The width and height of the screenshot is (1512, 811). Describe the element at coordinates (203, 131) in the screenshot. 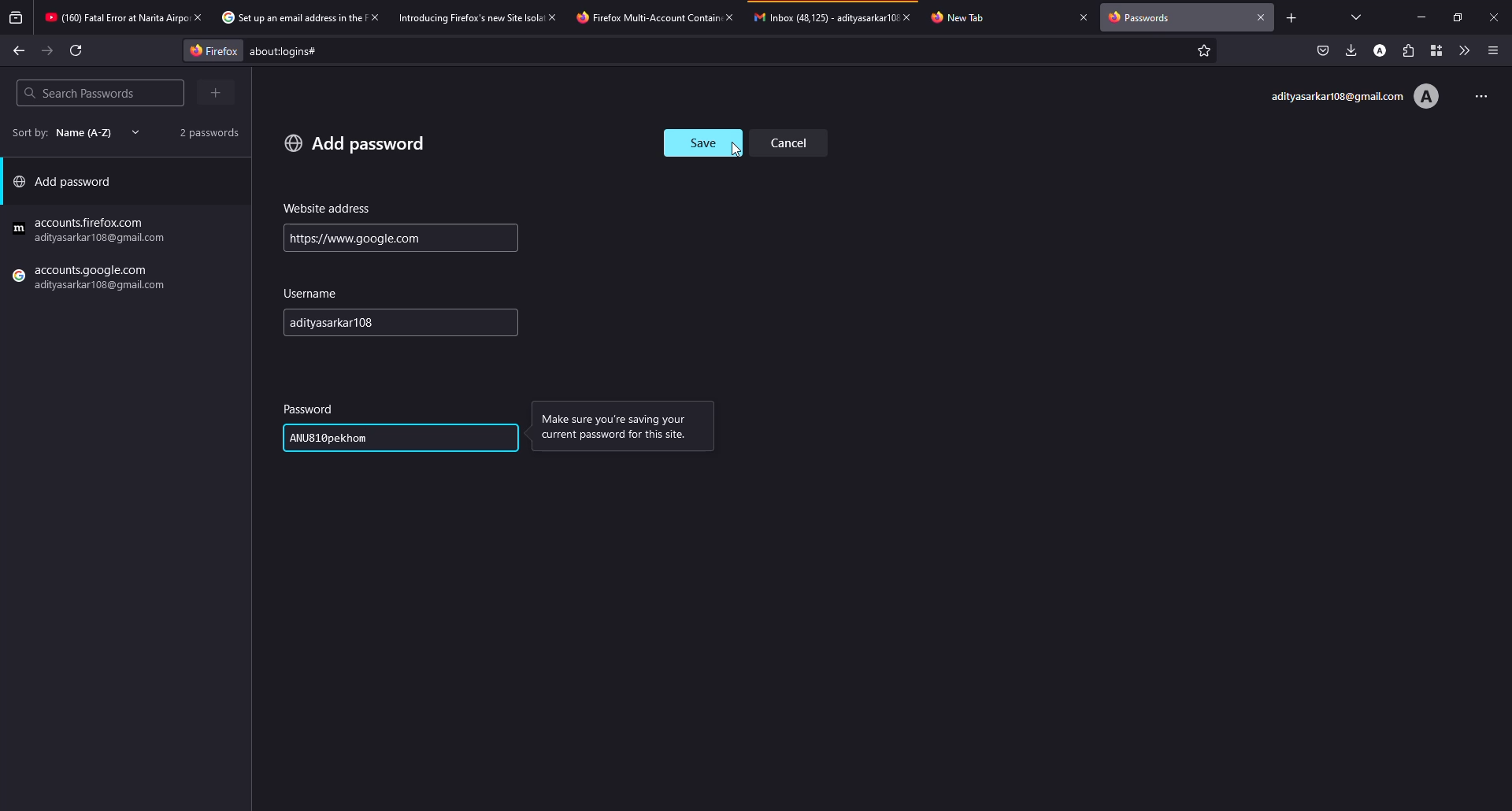

I see `2 passwords` at that location.